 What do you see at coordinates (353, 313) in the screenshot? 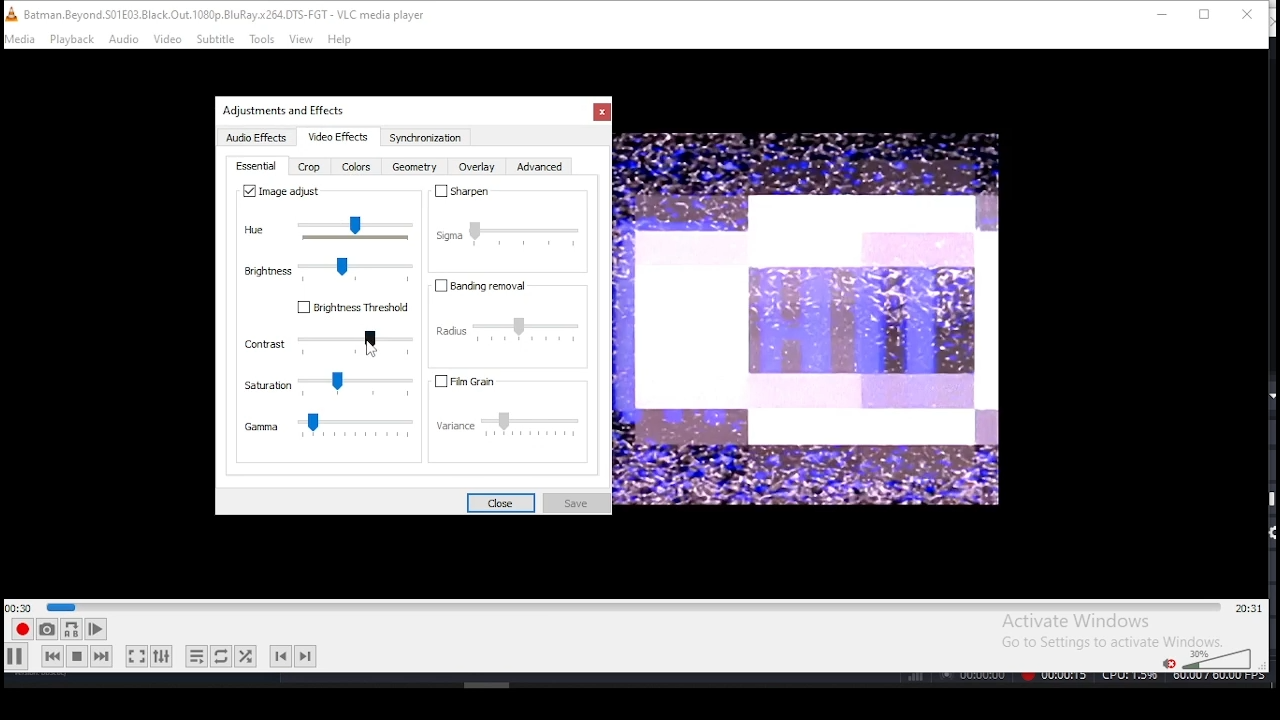
I see `Brightness threshold on/off` at bounding box center [353, 313].